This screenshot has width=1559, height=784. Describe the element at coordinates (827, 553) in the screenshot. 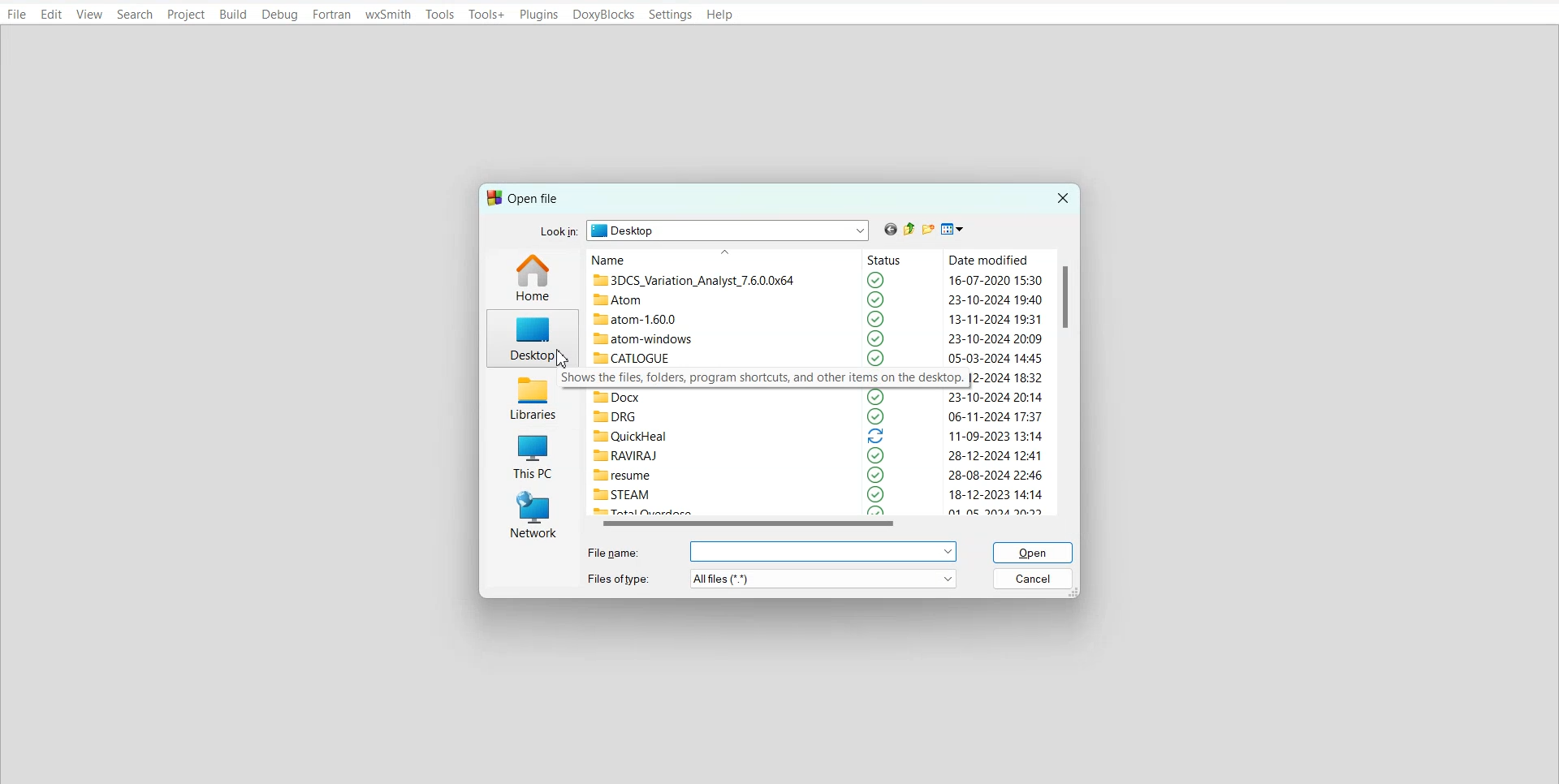

I see `more options` at that location.